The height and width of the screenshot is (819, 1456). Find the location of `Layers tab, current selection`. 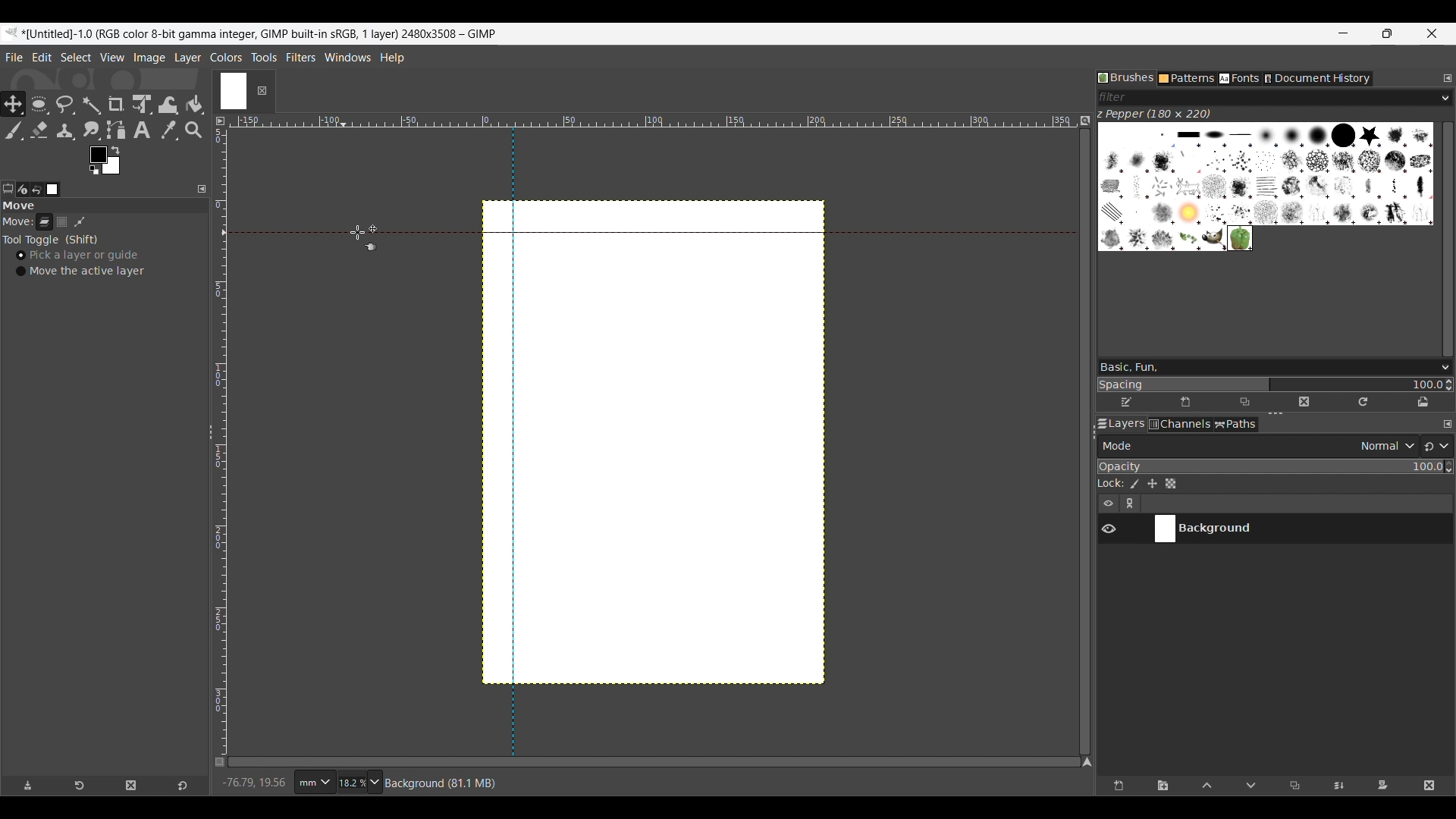

Layers tab, current selection is located at coordinates (1118, 425).